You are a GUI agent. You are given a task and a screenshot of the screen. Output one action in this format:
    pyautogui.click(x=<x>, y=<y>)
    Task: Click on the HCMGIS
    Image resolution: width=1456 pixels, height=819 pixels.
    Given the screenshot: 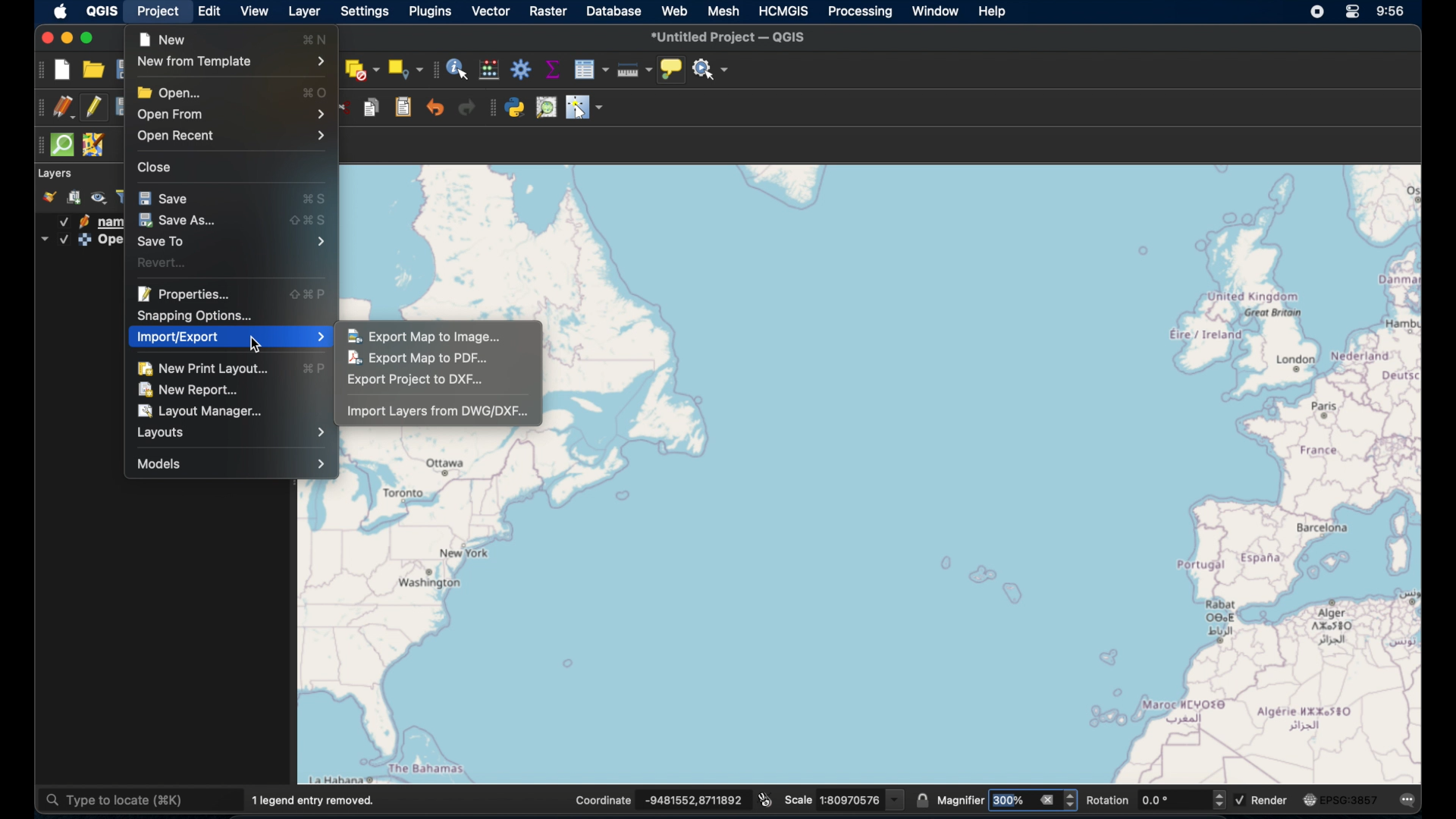 What is the action you would take?
    pyautogui.click(x=783, y=11)
    